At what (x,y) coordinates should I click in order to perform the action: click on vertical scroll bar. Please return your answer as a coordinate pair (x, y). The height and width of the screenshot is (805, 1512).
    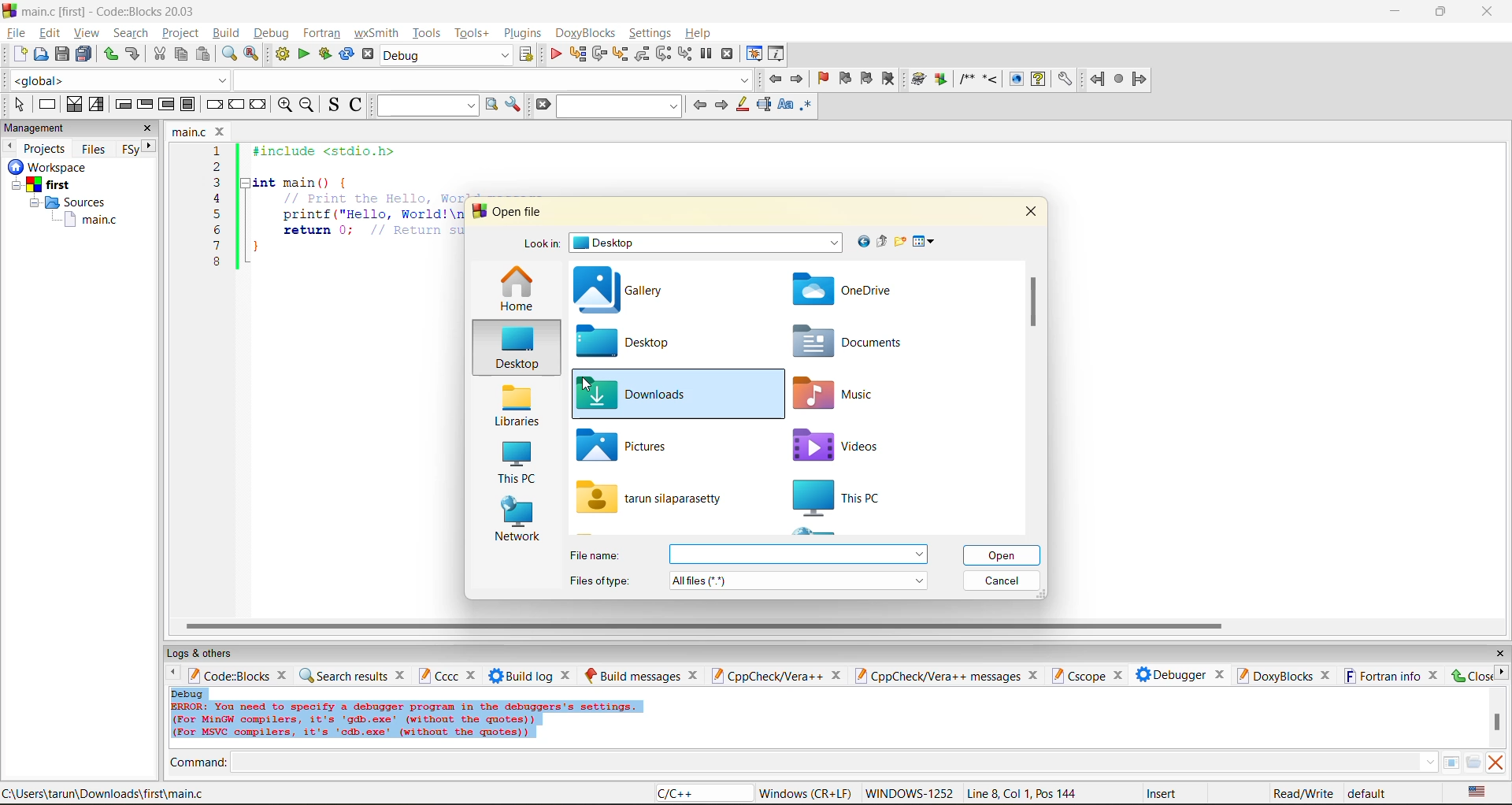
    Looking at the image, I should click on (1032, 300).